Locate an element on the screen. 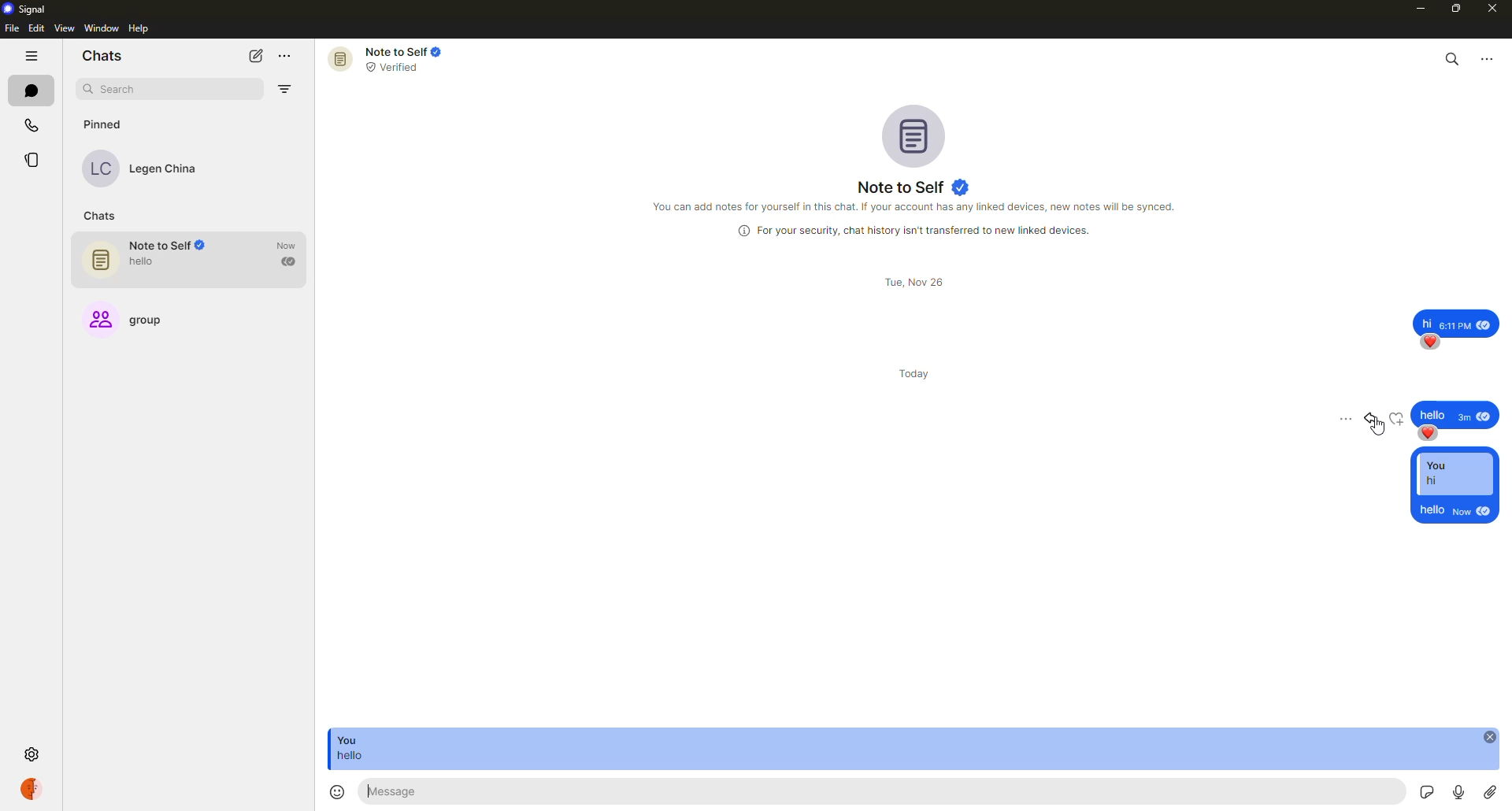 The width and height of the screenshot is (1512, 811). contact is located at coordinates (151, 168).